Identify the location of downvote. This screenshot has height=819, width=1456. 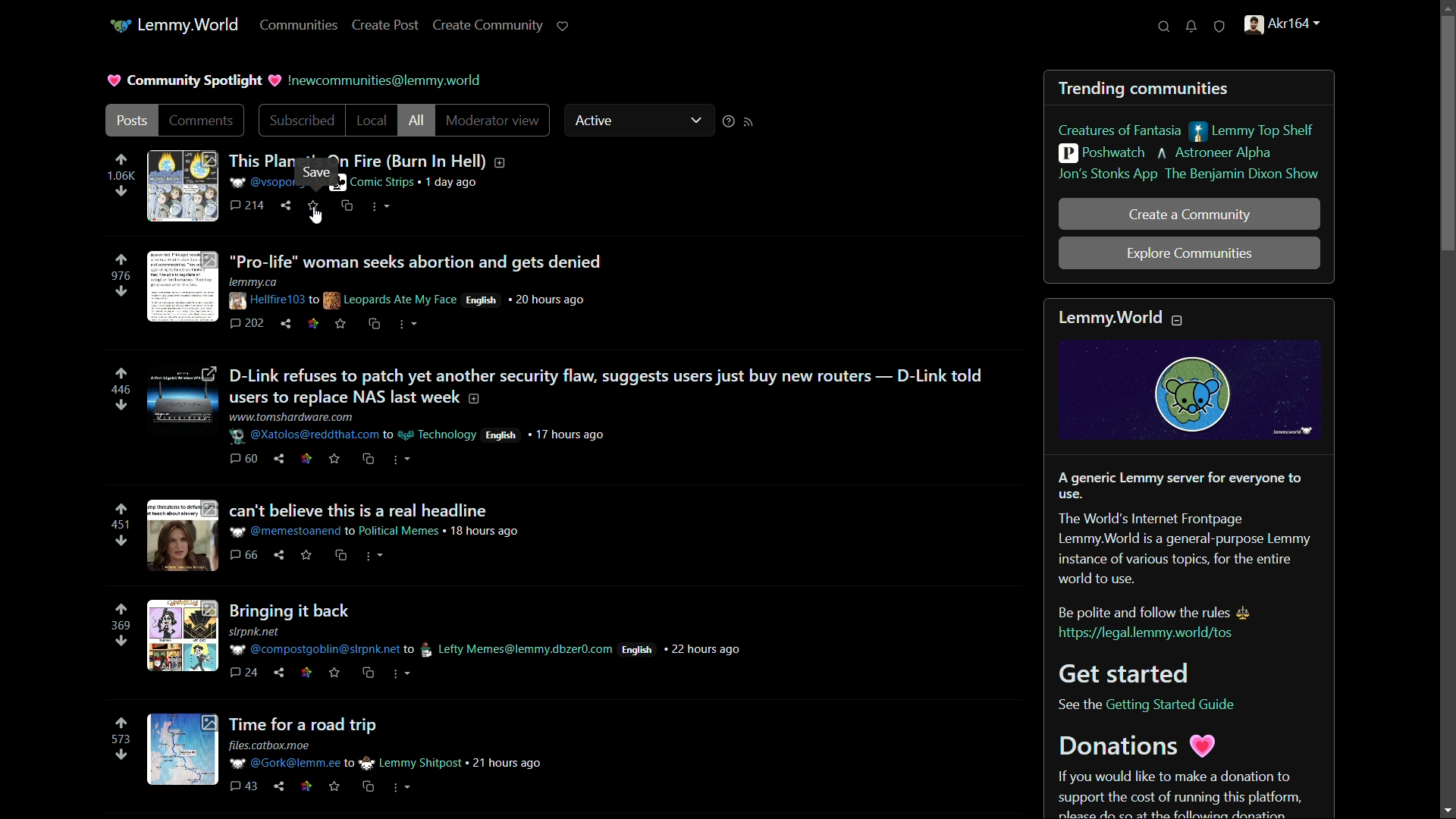
(121, 193).